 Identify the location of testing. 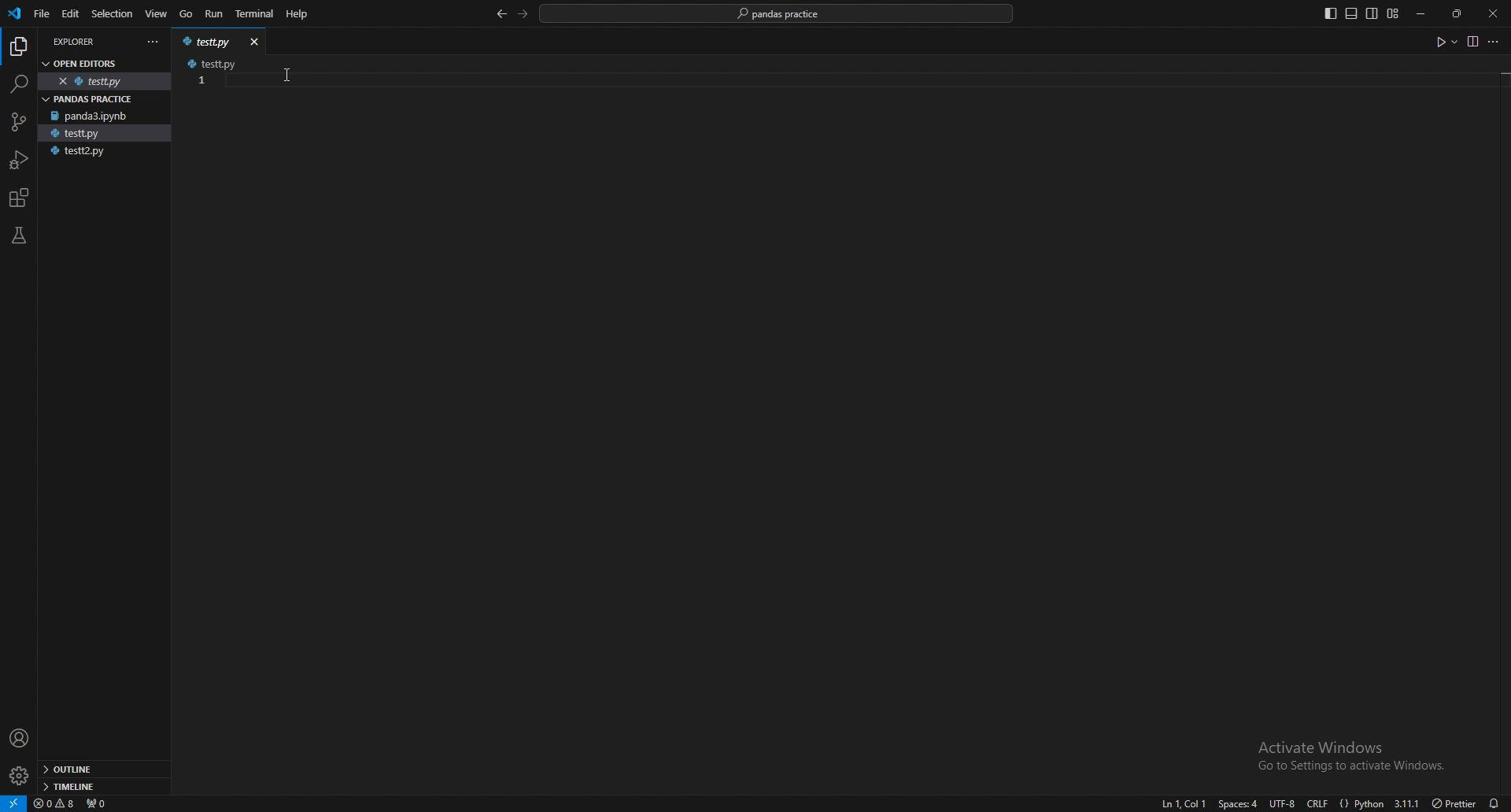
(19, 235).